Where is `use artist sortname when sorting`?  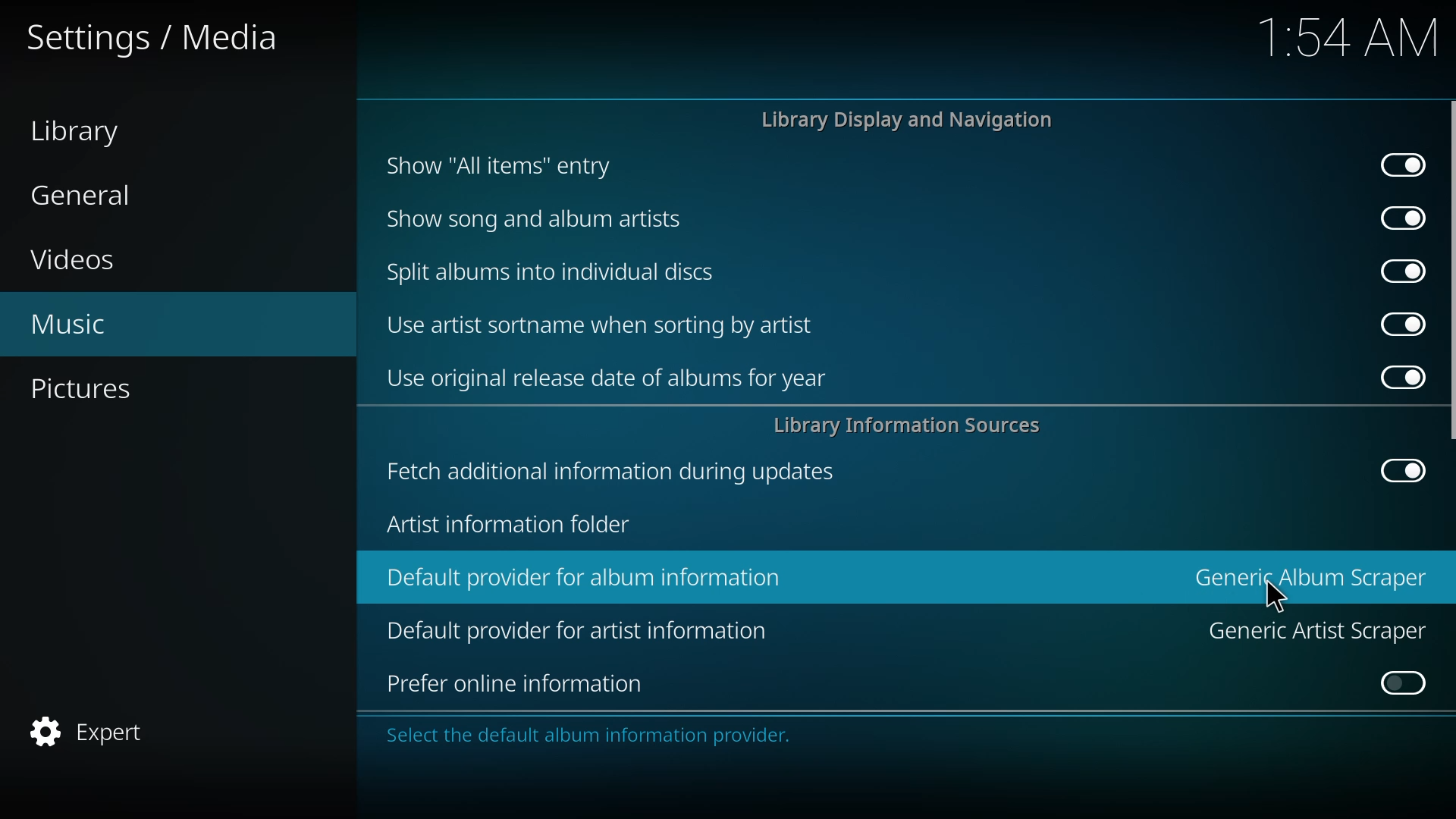 use artist sortname when sorting is located at coordinates (610, 326).